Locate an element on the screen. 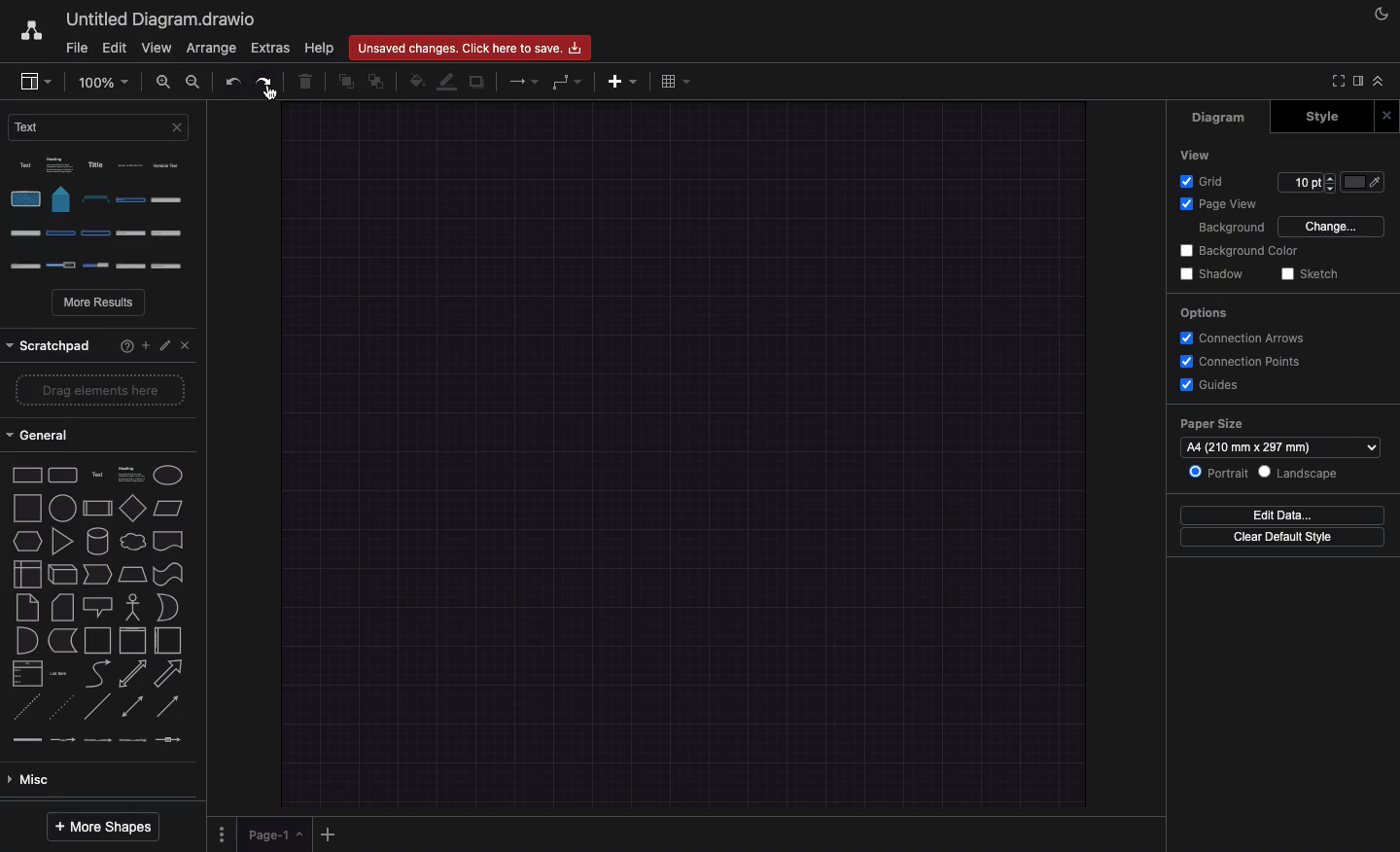 This screenshot has height=852, width=1400. Diagram is located at coordinates (1228, 119).